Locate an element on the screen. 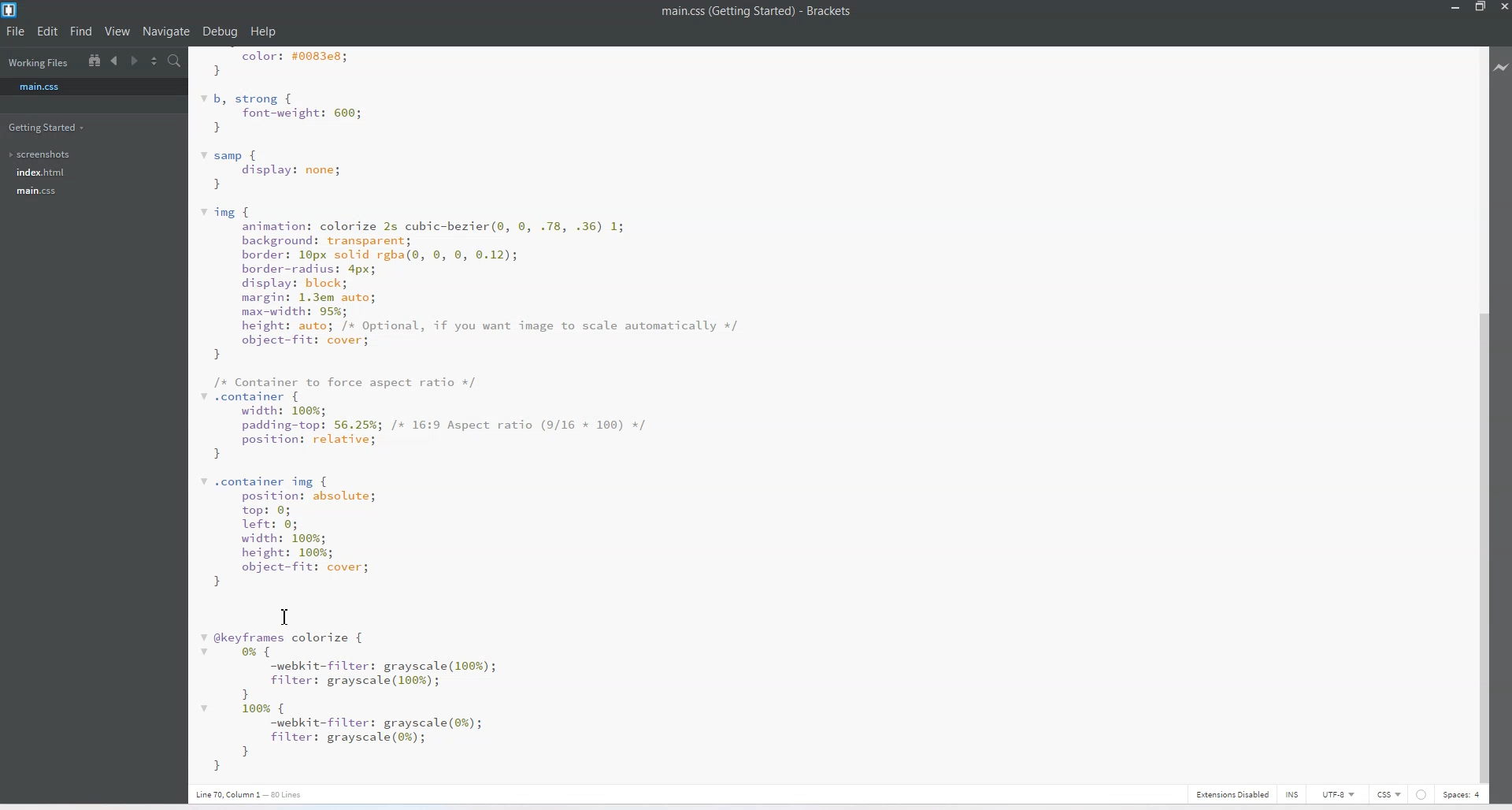  Navigate Forwards is located at coordinates (136, 61).